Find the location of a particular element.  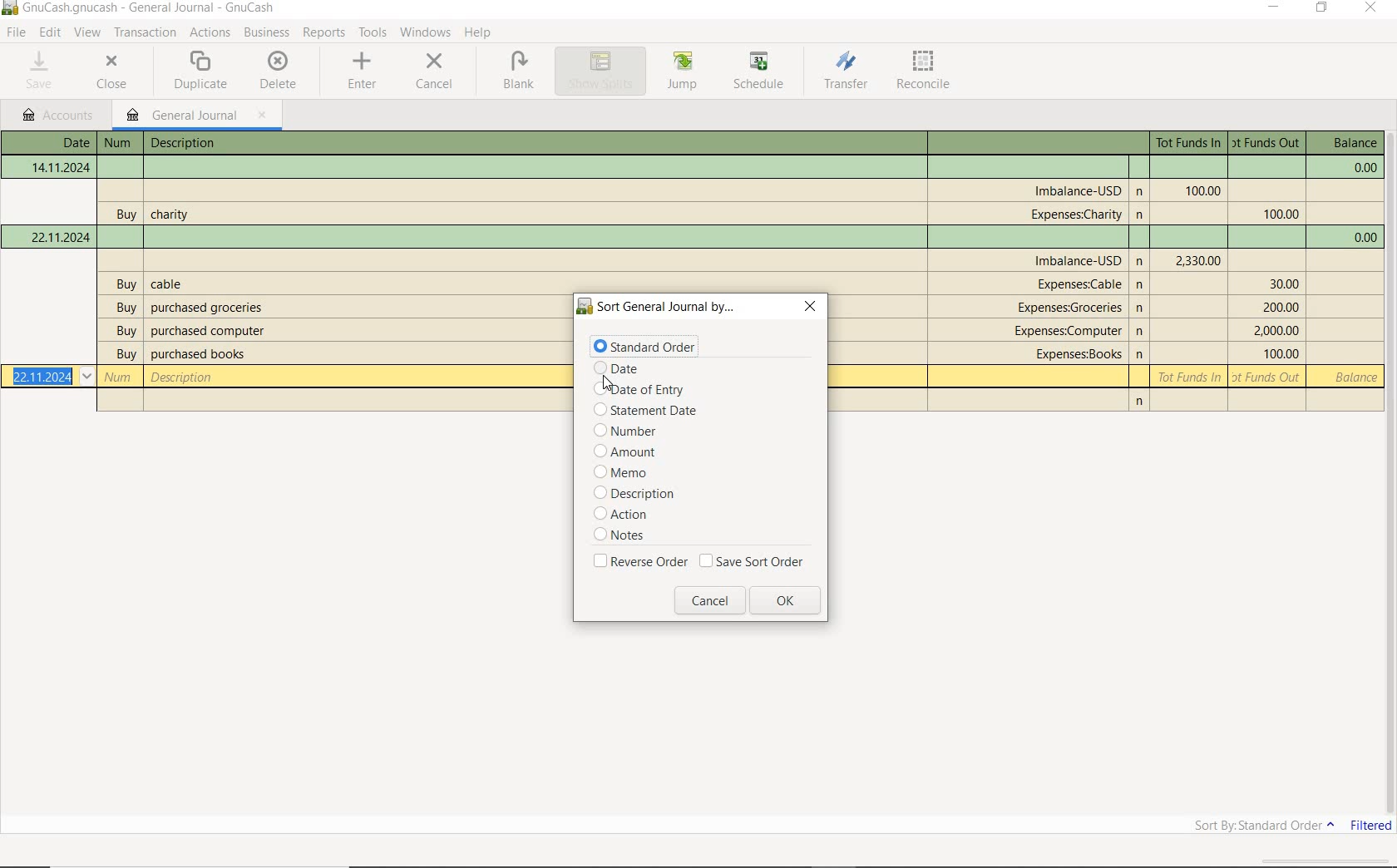

FILE is located at coordinates (19, 33).